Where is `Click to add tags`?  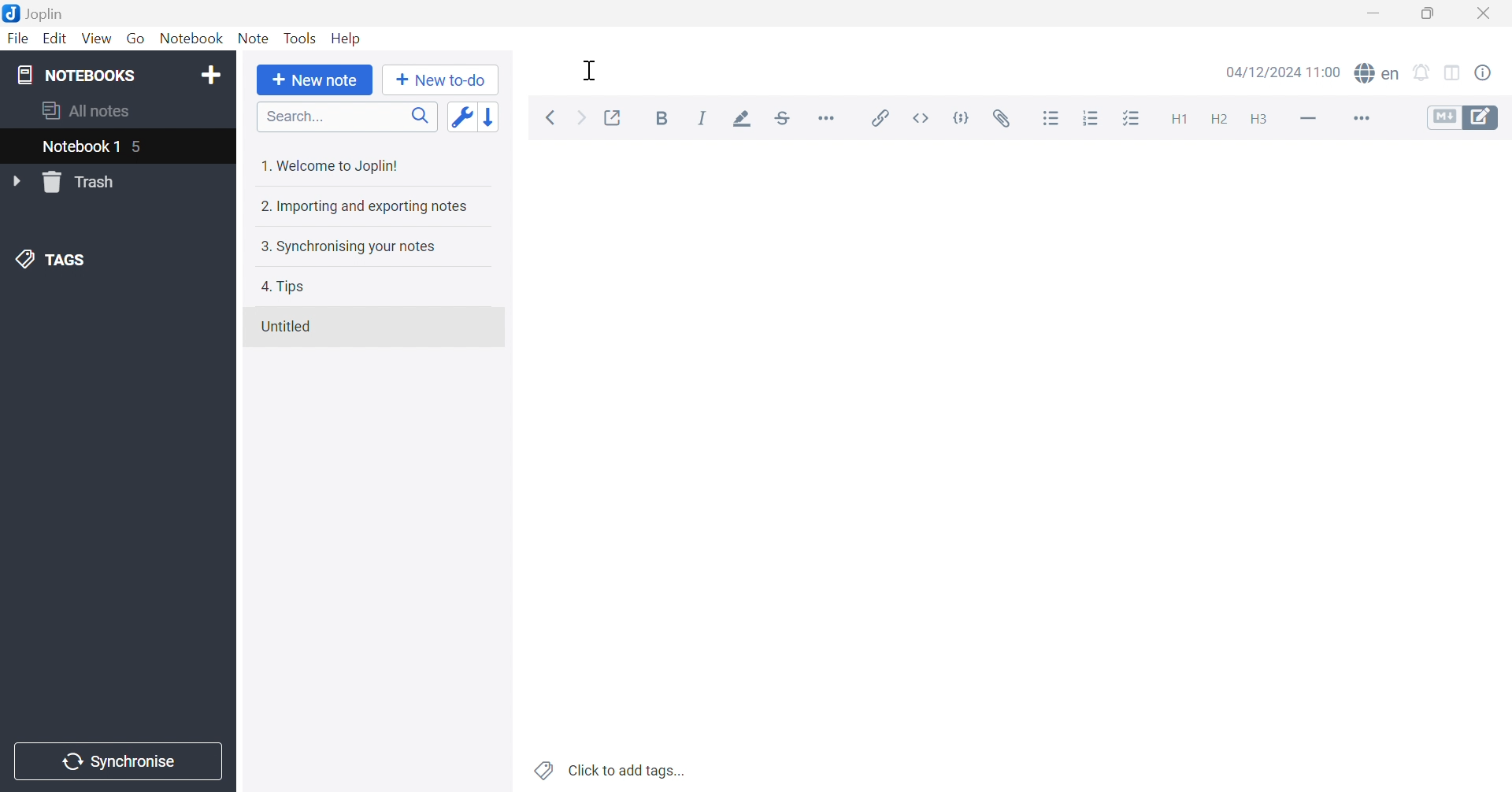 Click to add tags is located at coordinates (607, 770).